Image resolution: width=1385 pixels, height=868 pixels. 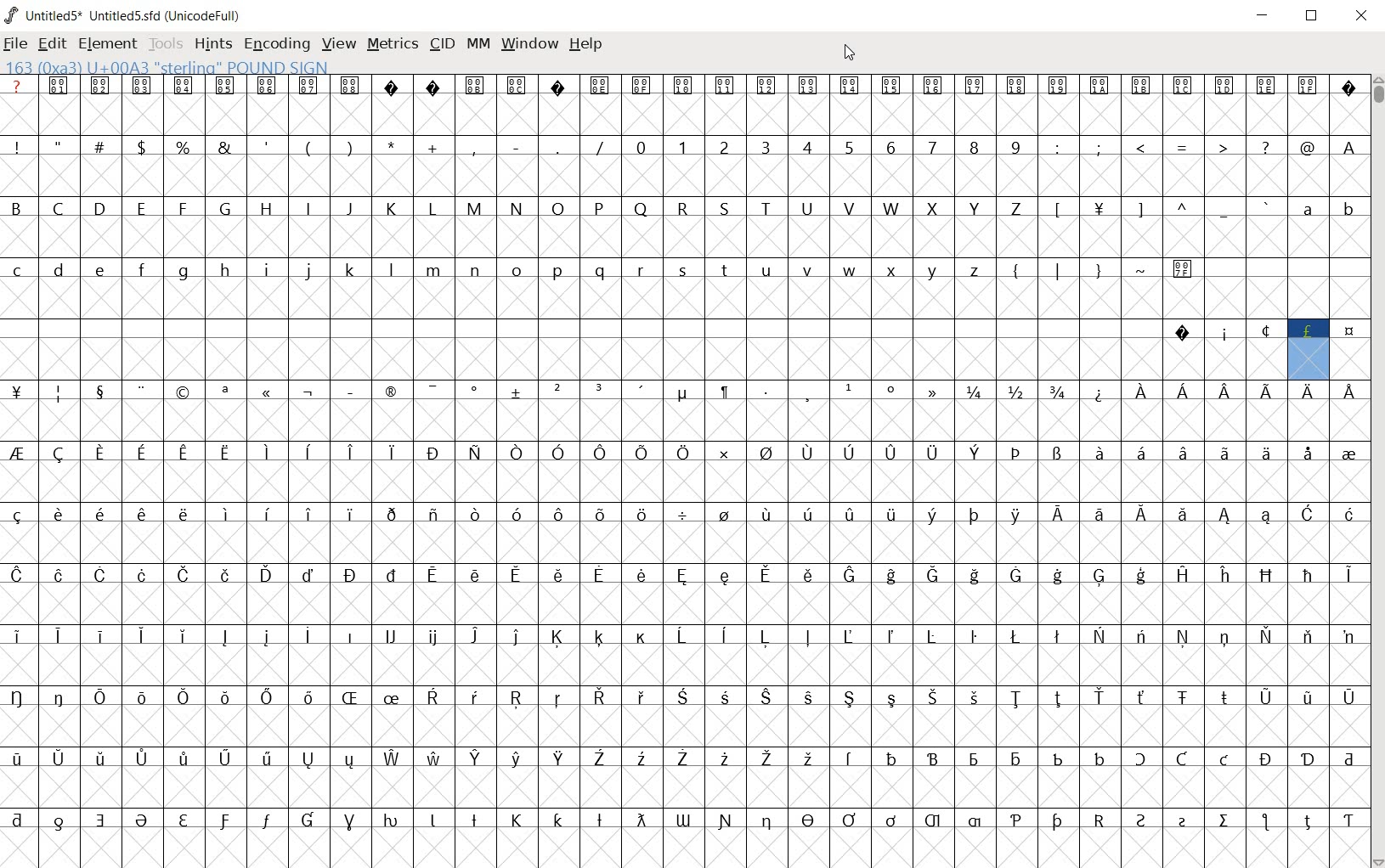 I want to click on RESTORE DOWN, so click(x=1312, y=16).